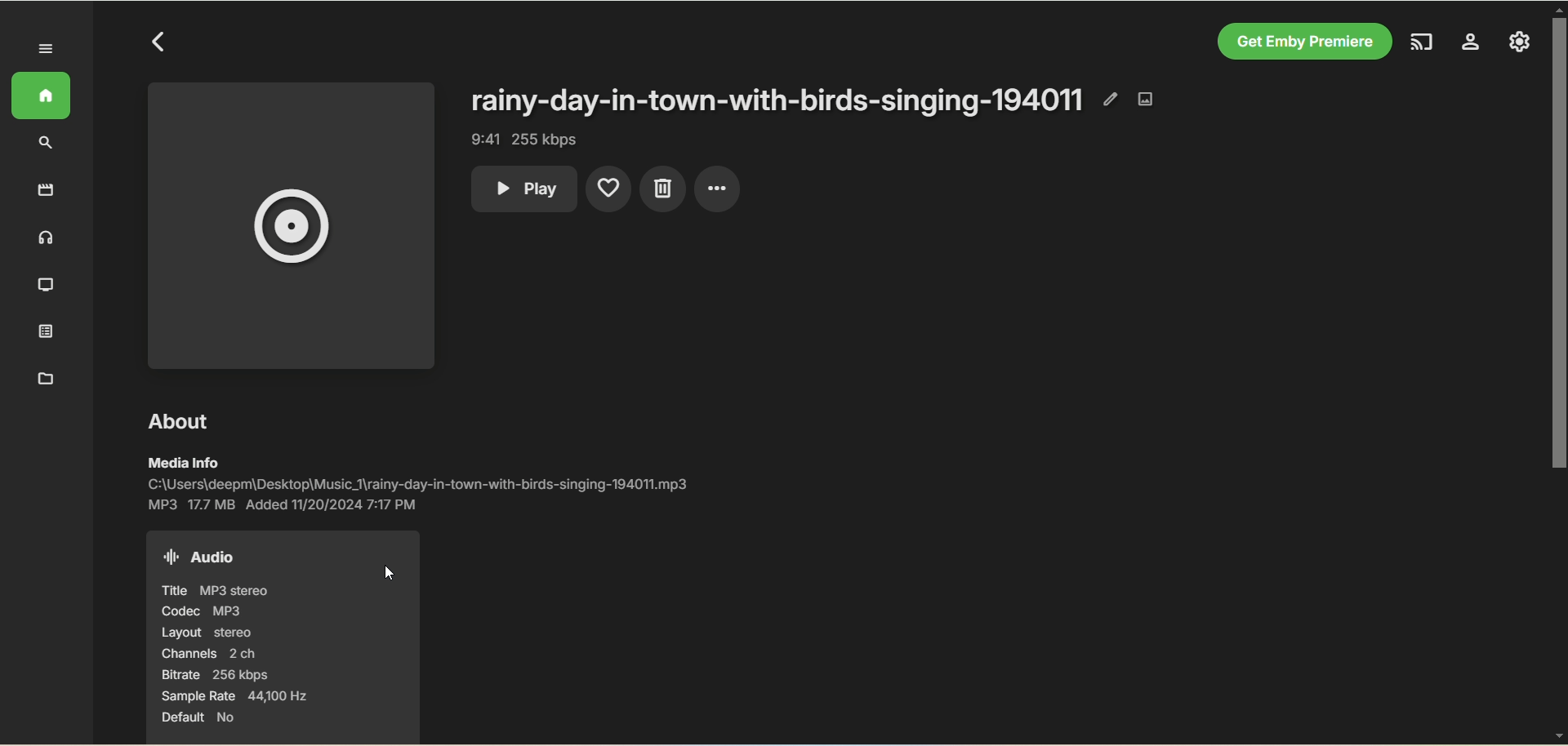 The width and height of the screenshot is (1568, 746). What do you see at coordinates (207, 633) in the screenshot?
I see `layout stereo` at bounding box center [207, 633].